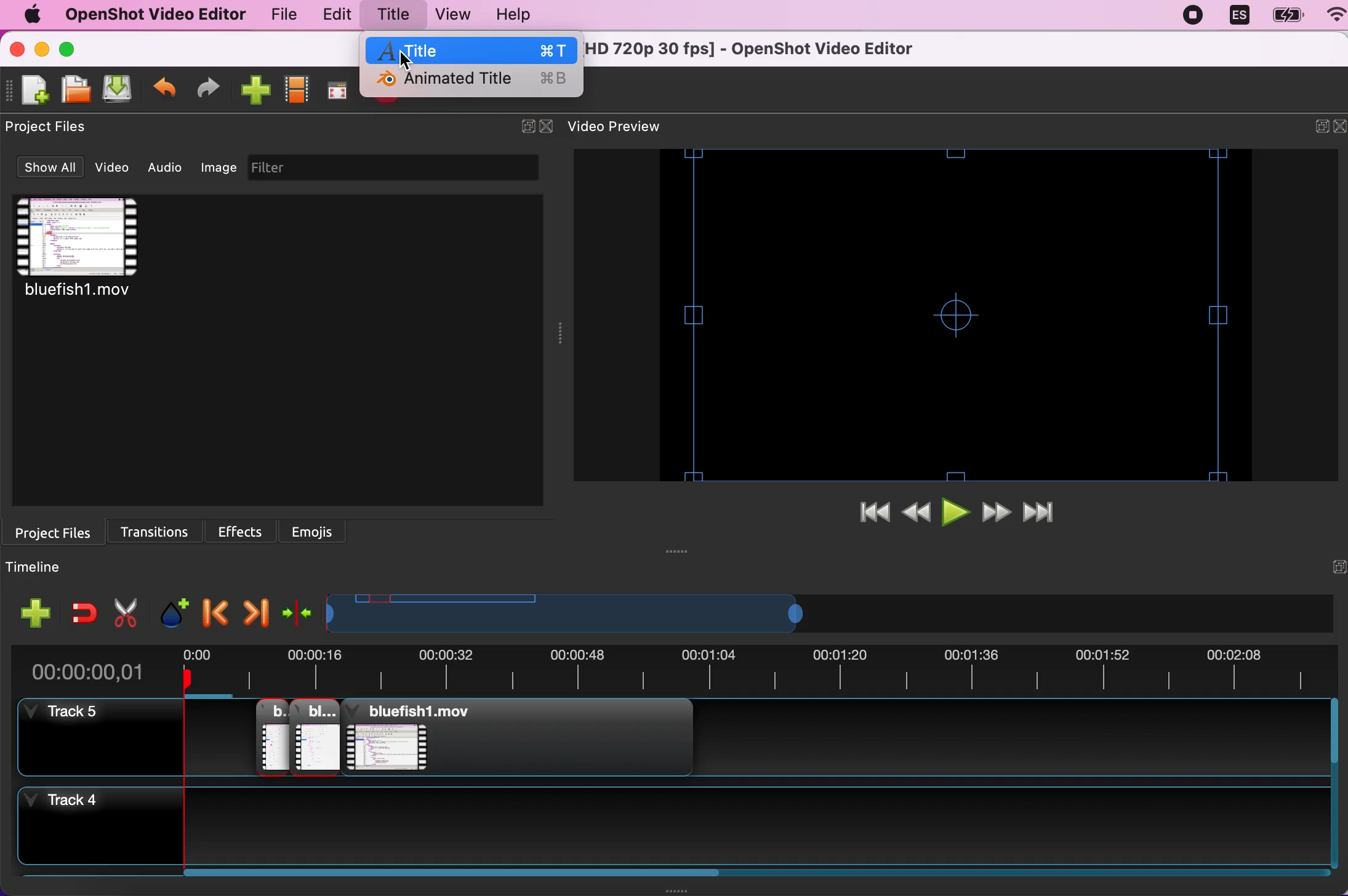 The height and width of the screenshot is (896, 1348). What do you see at coordinates (784, 47) in the screenshot?
I see `* untitled project [hd 720p 30 fps] - openshot video editor` at bounding box center [784, 47].